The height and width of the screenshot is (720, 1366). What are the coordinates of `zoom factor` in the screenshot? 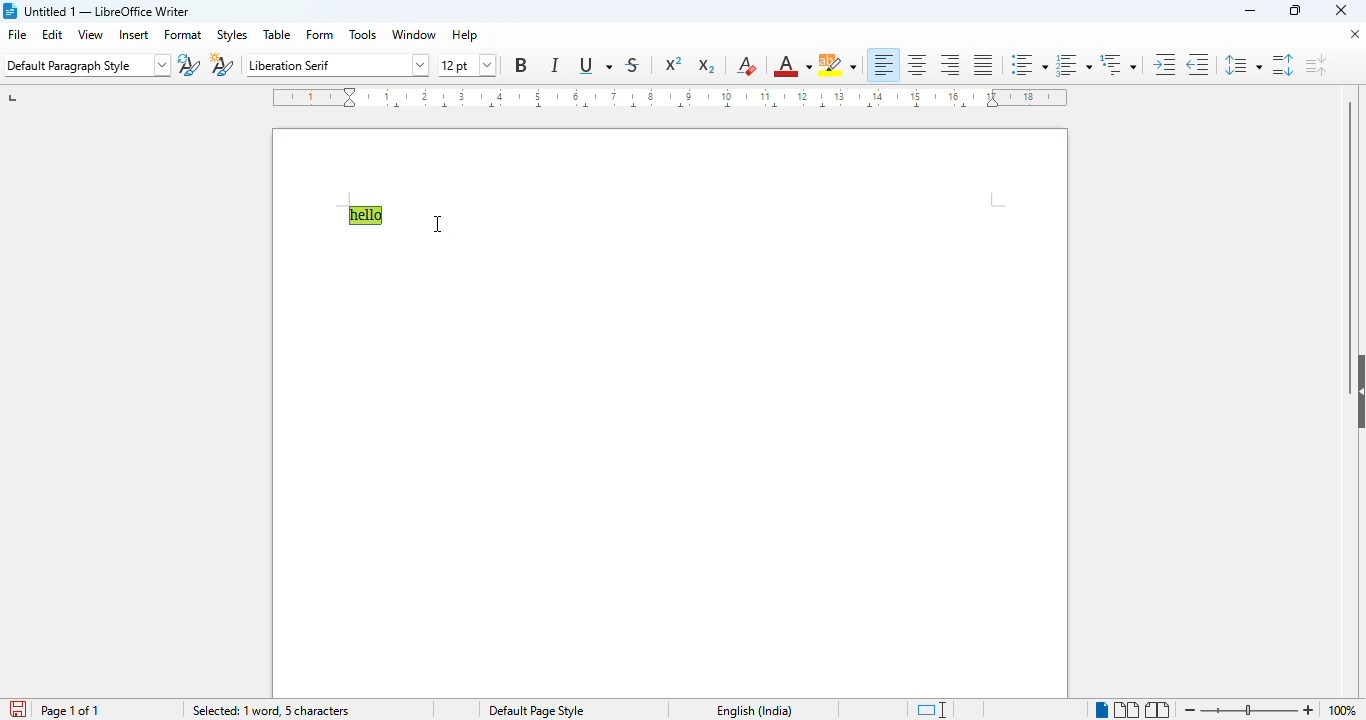 It's located at (1343, 710).